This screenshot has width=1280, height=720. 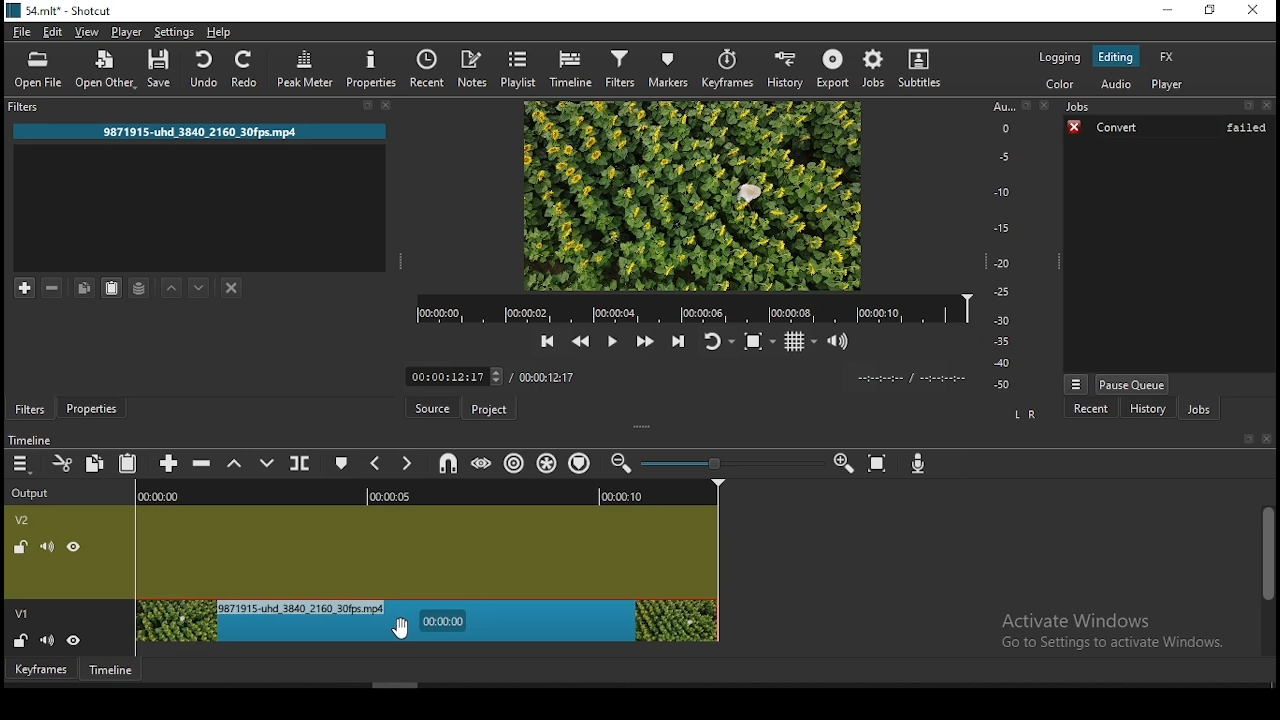 What do you see at coordinates (718, 343) in the screenshot?
I see `toggle player looping` at bounding box center [718, 343].